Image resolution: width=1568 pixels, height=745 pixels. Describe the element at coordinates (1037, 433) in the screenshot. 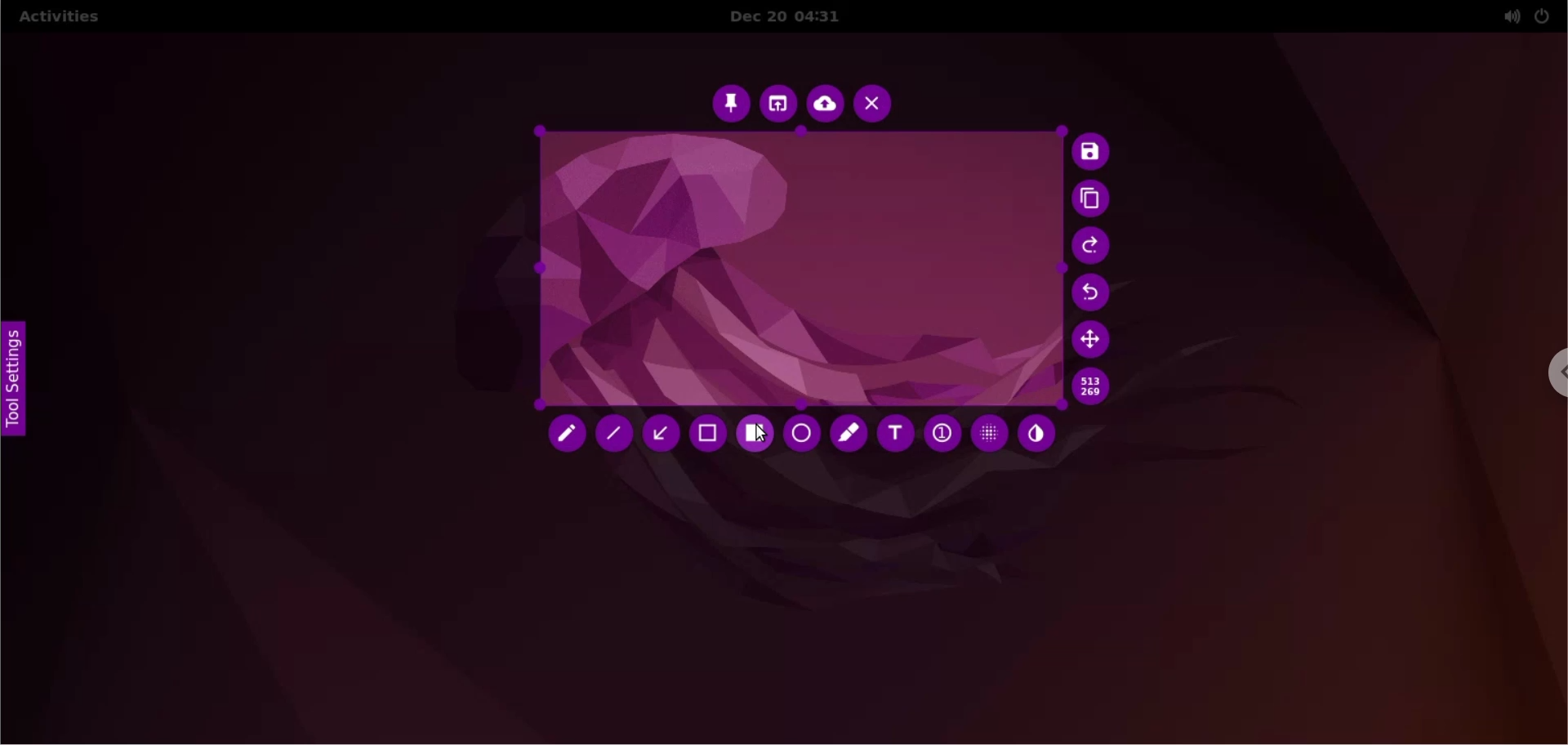

I see `inverter tool` at that location.